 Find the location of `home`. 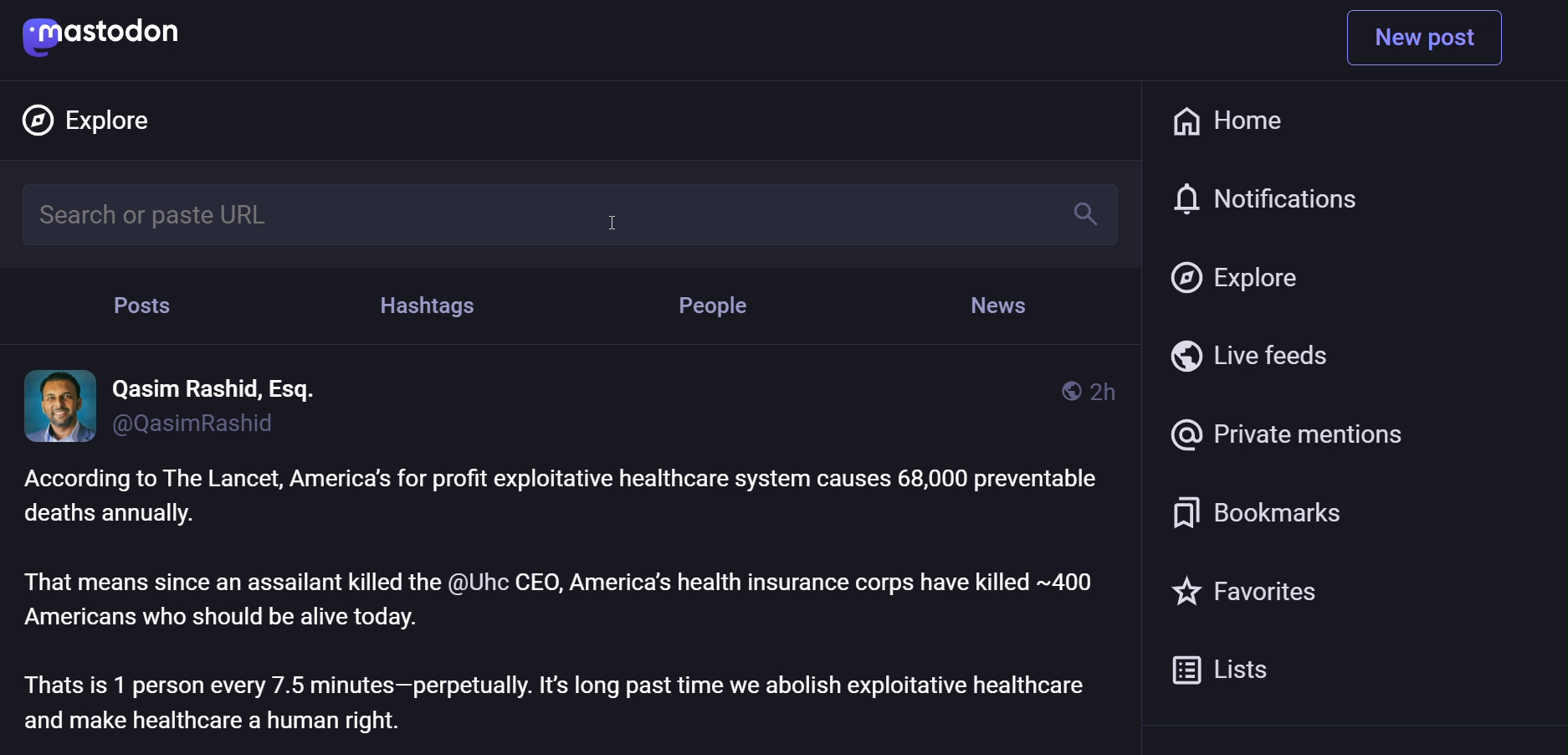

home is located at coordinates (1226, 122).